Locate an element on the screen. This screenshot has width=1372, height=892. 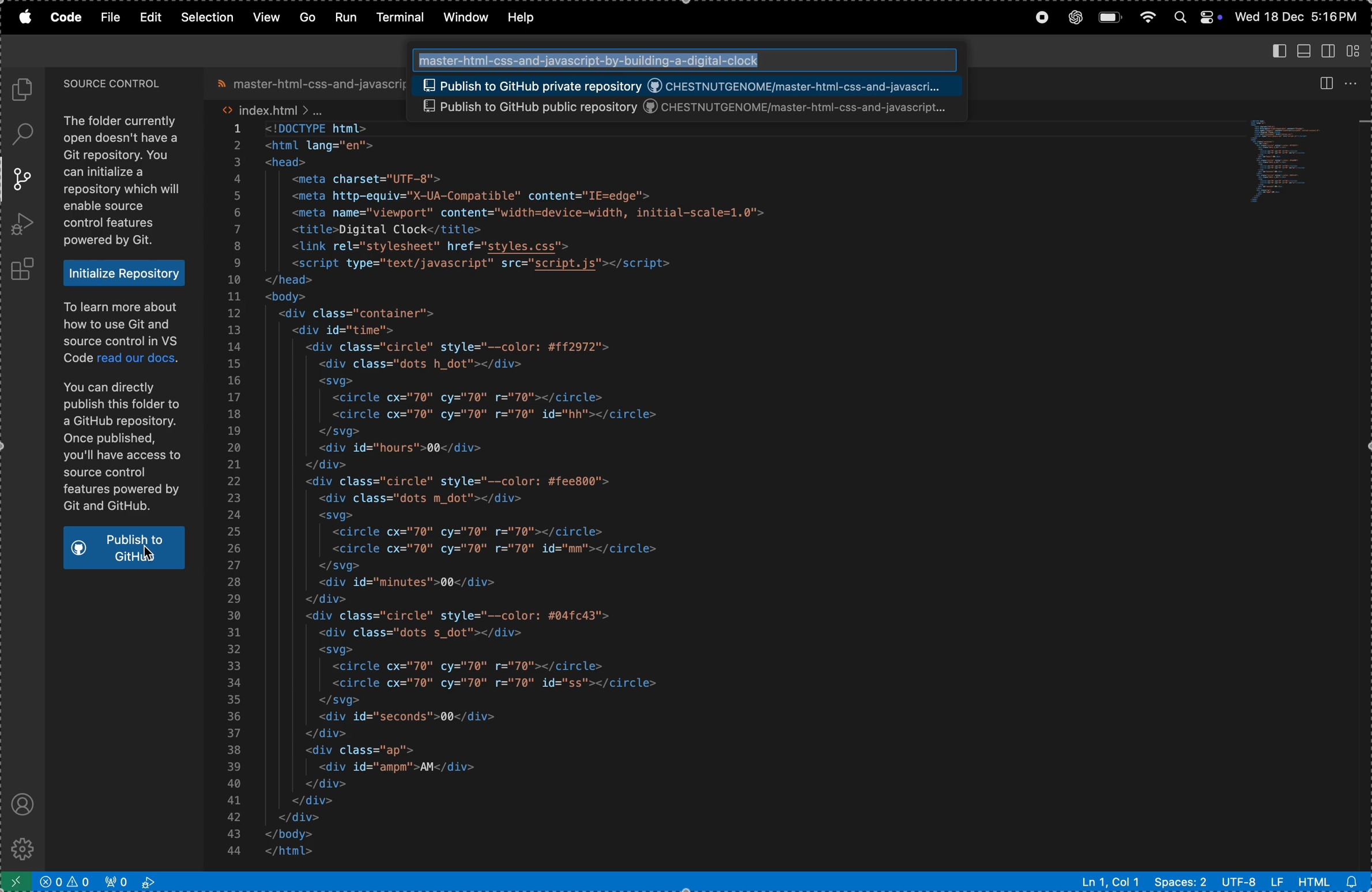
<body> is located at coordinates (289, 298).